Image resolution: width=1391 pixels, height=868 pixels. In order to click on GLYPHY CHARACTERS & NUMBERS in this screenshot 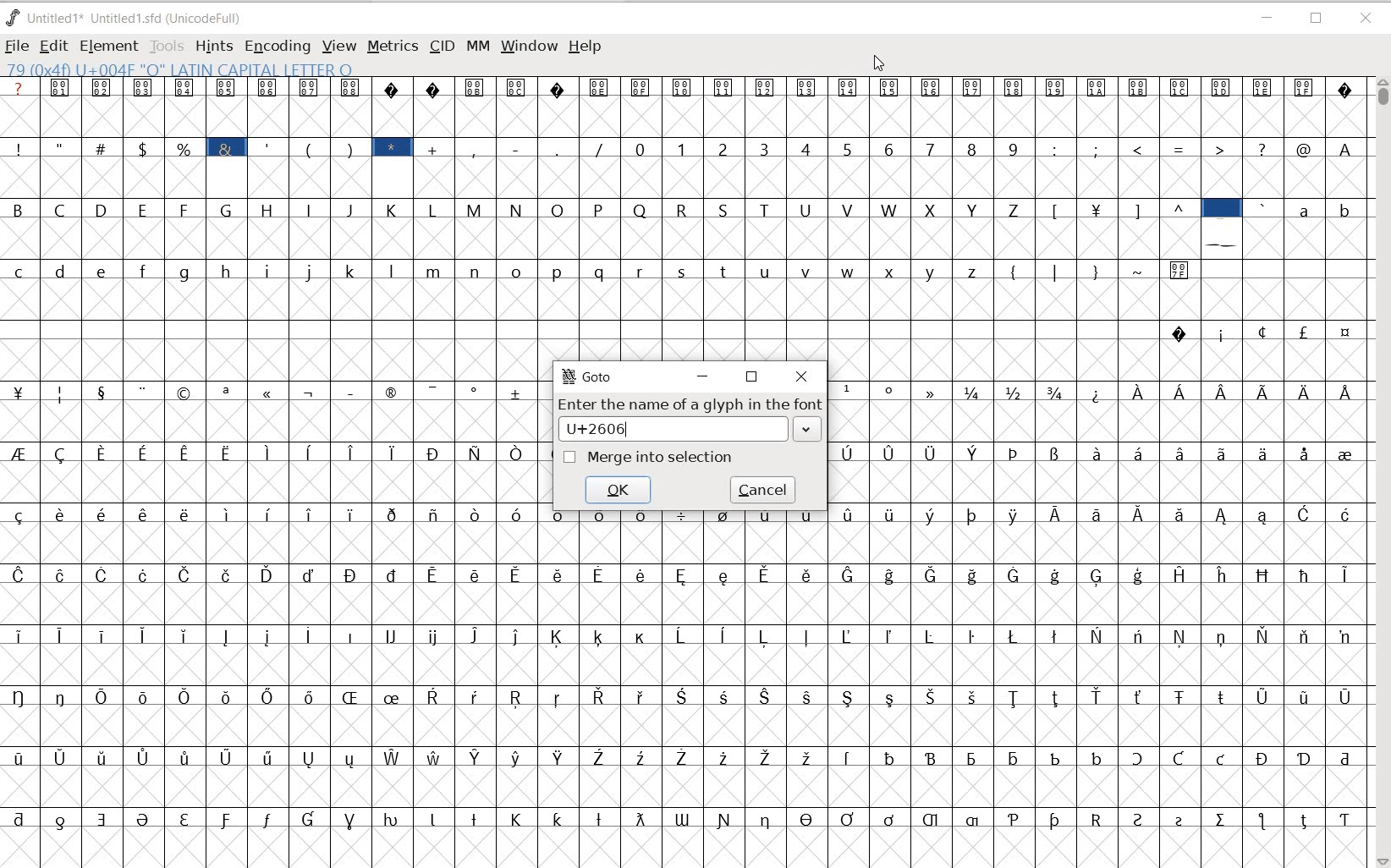, I will do `click(269, 613)`.